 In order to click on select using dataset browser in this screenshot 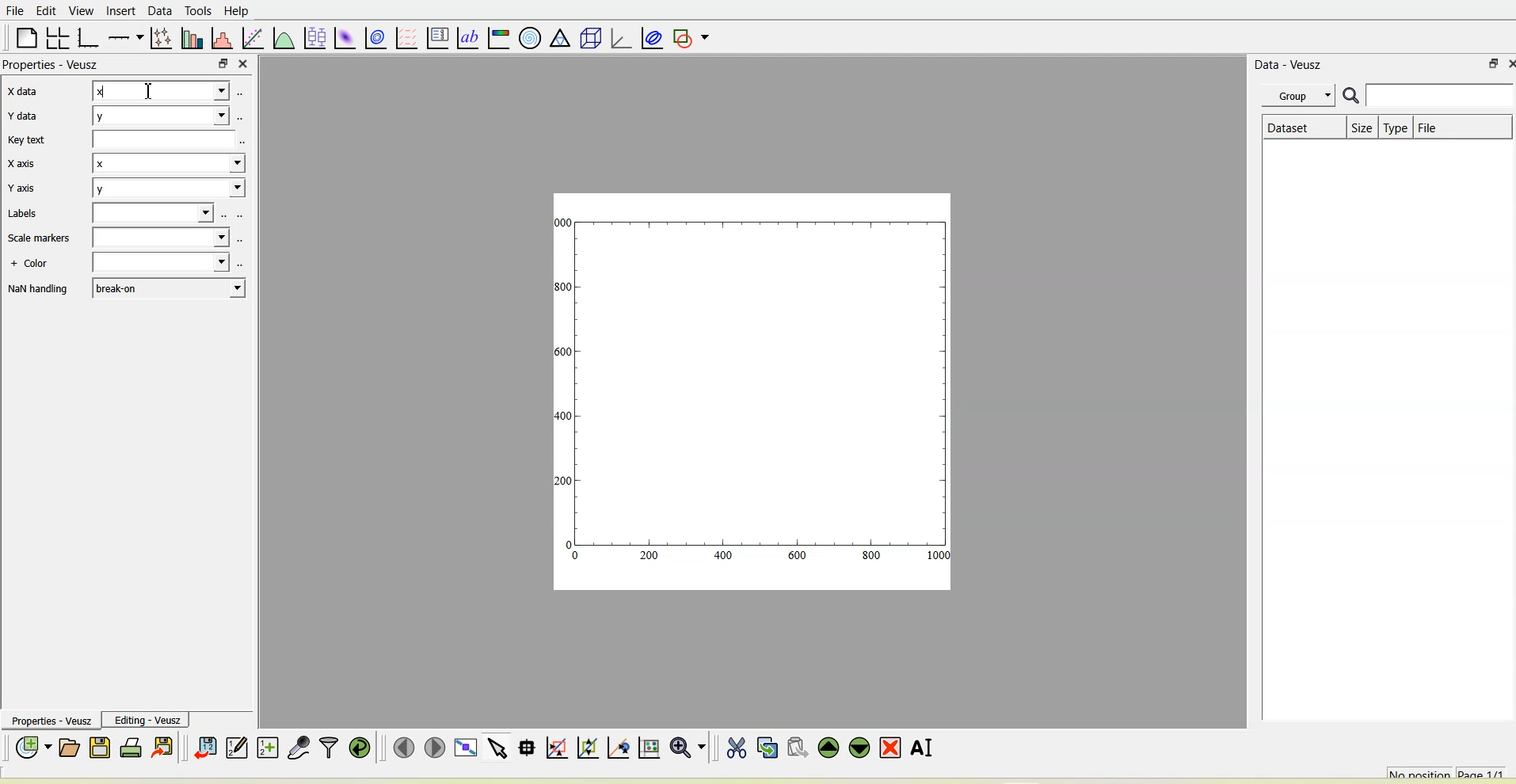, I will do `click(226, 215)`.